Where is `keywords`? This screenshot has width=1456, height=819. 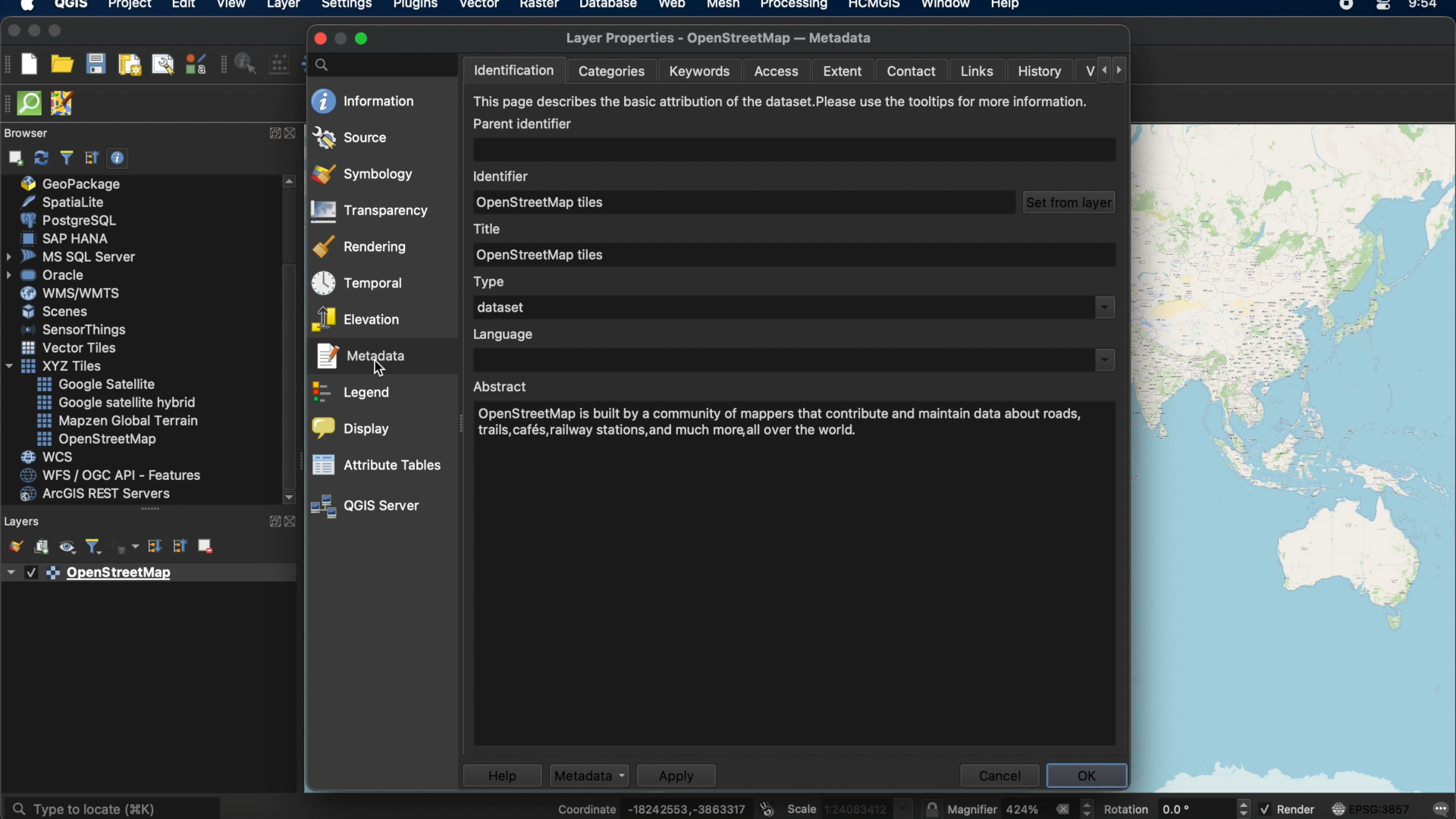 keywords is located at coordinates (704, 71).